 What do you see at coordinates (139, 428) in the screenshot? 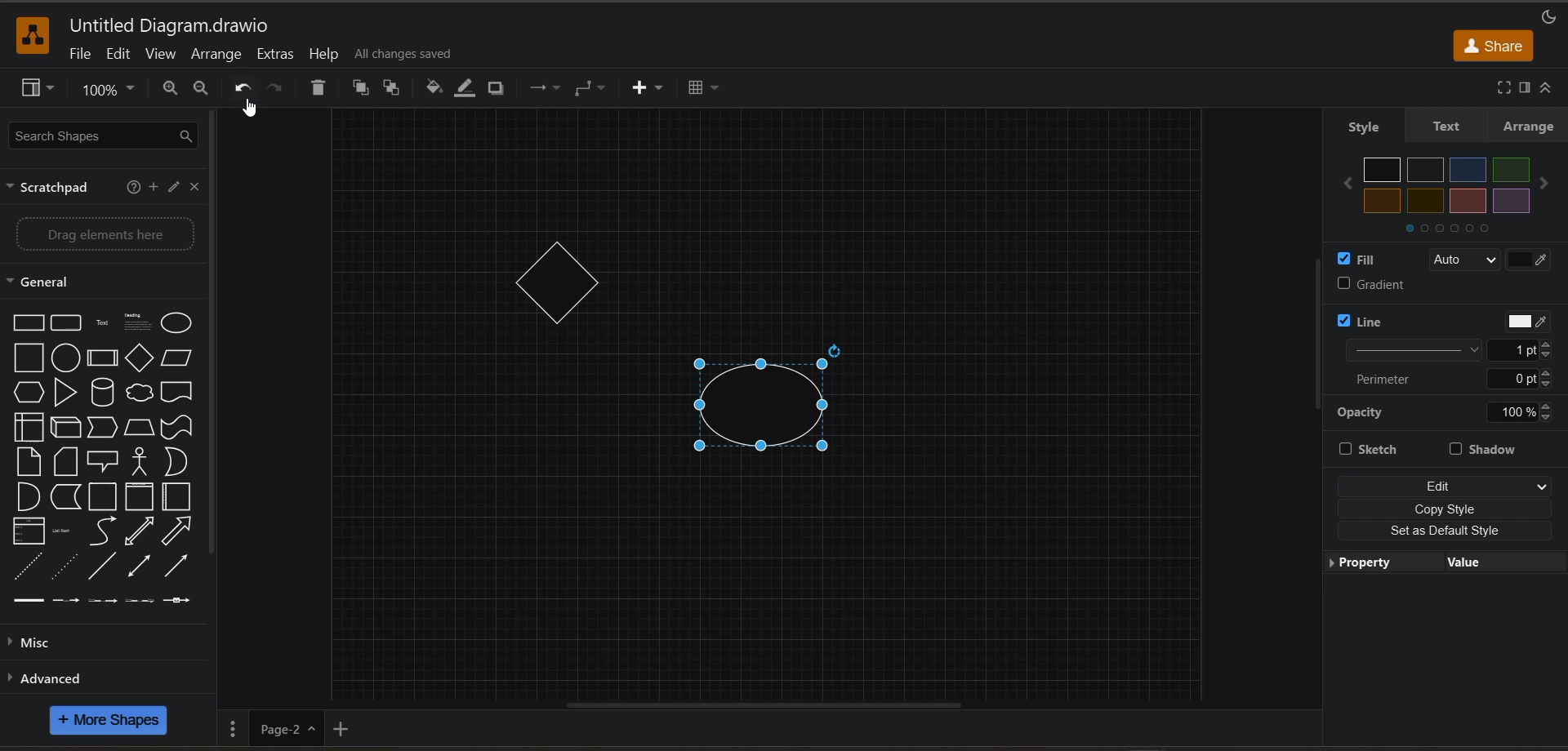
I see `Trapezoid` at bounding box center [139, 428].